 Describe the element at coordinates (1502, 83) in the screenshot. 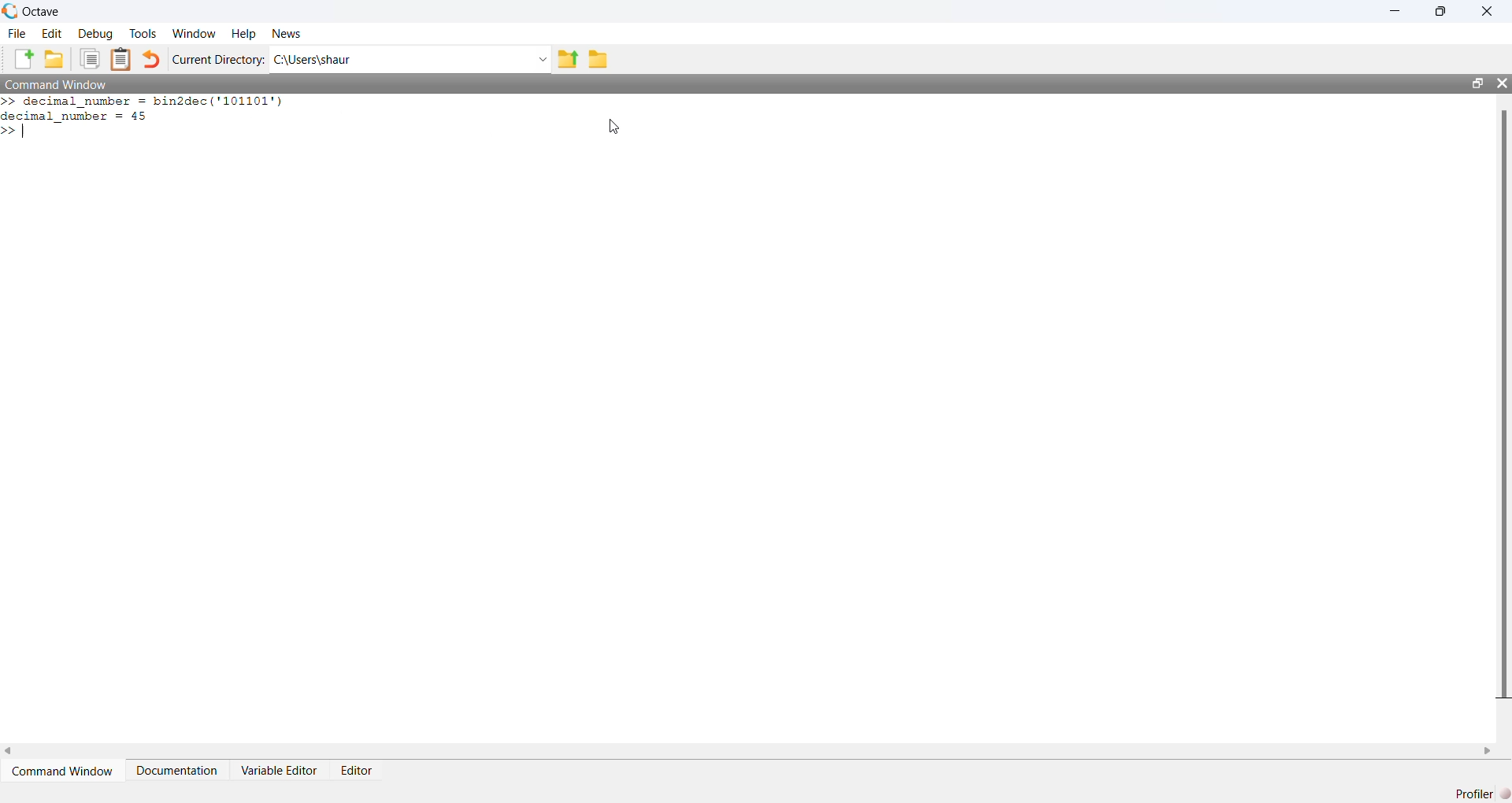

I see `close` at that location.